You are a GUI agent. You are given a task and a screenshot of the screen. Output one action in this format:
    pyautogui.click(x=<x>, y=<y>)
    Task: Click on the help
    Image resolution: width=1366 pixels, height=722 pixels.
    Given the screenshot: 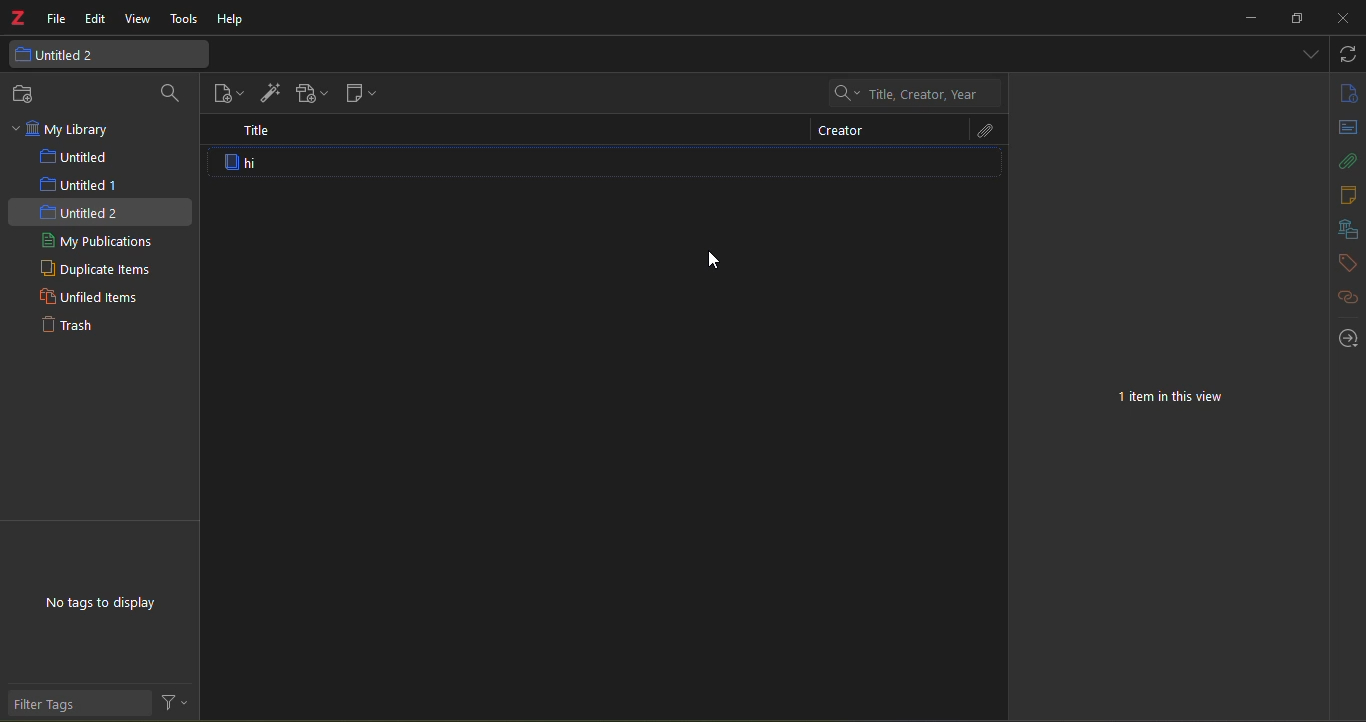 What is the action you would take?
    pyautogui.click(x=232, y=18)
    